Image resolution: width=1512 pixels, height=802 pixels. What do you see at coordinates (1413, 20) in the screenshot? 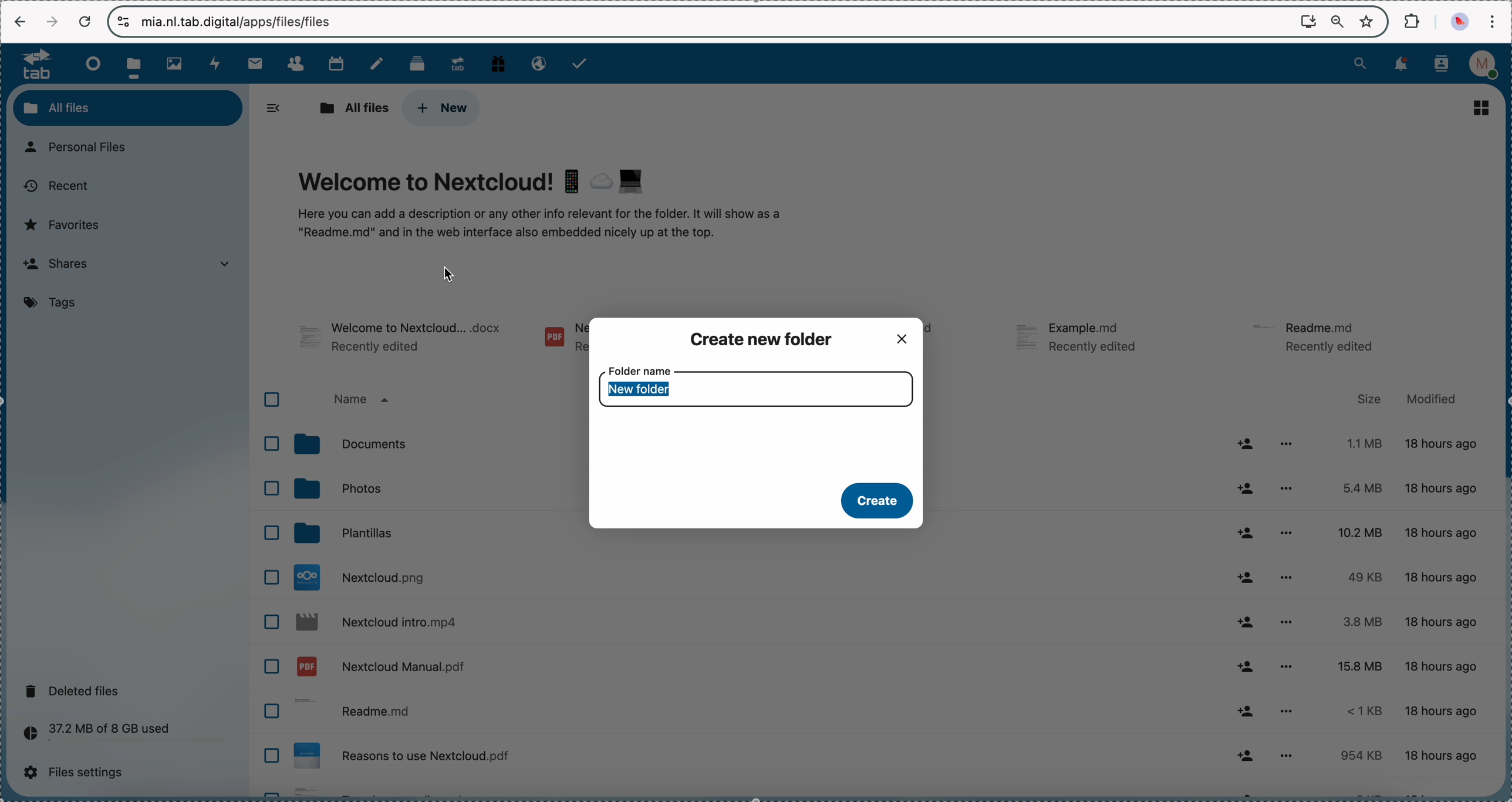
I see `extensions` at bounding box center [1413, 20].